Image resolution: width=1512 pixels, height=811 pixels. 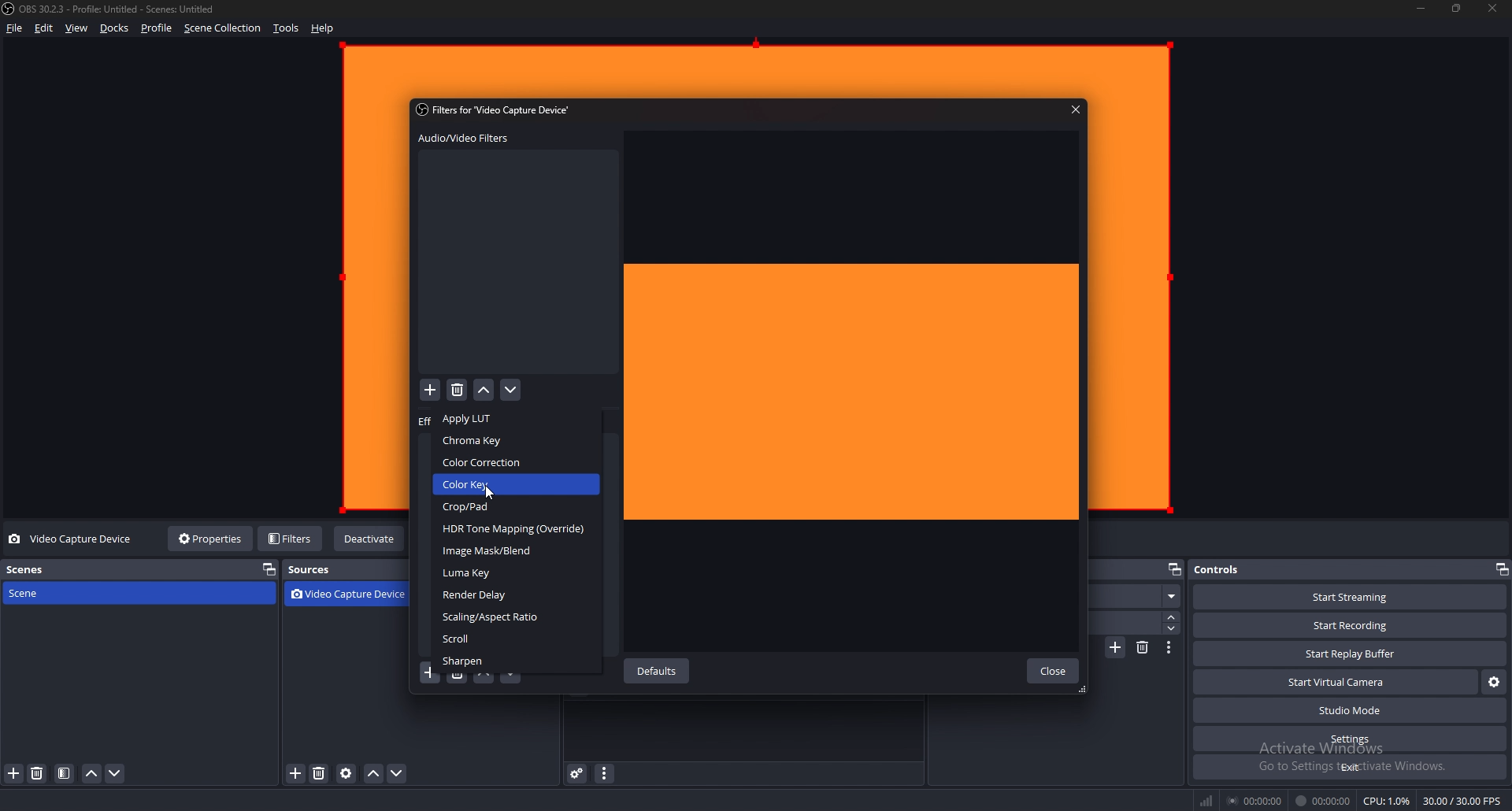 I want to click on profile, so click(x=157, y=28).